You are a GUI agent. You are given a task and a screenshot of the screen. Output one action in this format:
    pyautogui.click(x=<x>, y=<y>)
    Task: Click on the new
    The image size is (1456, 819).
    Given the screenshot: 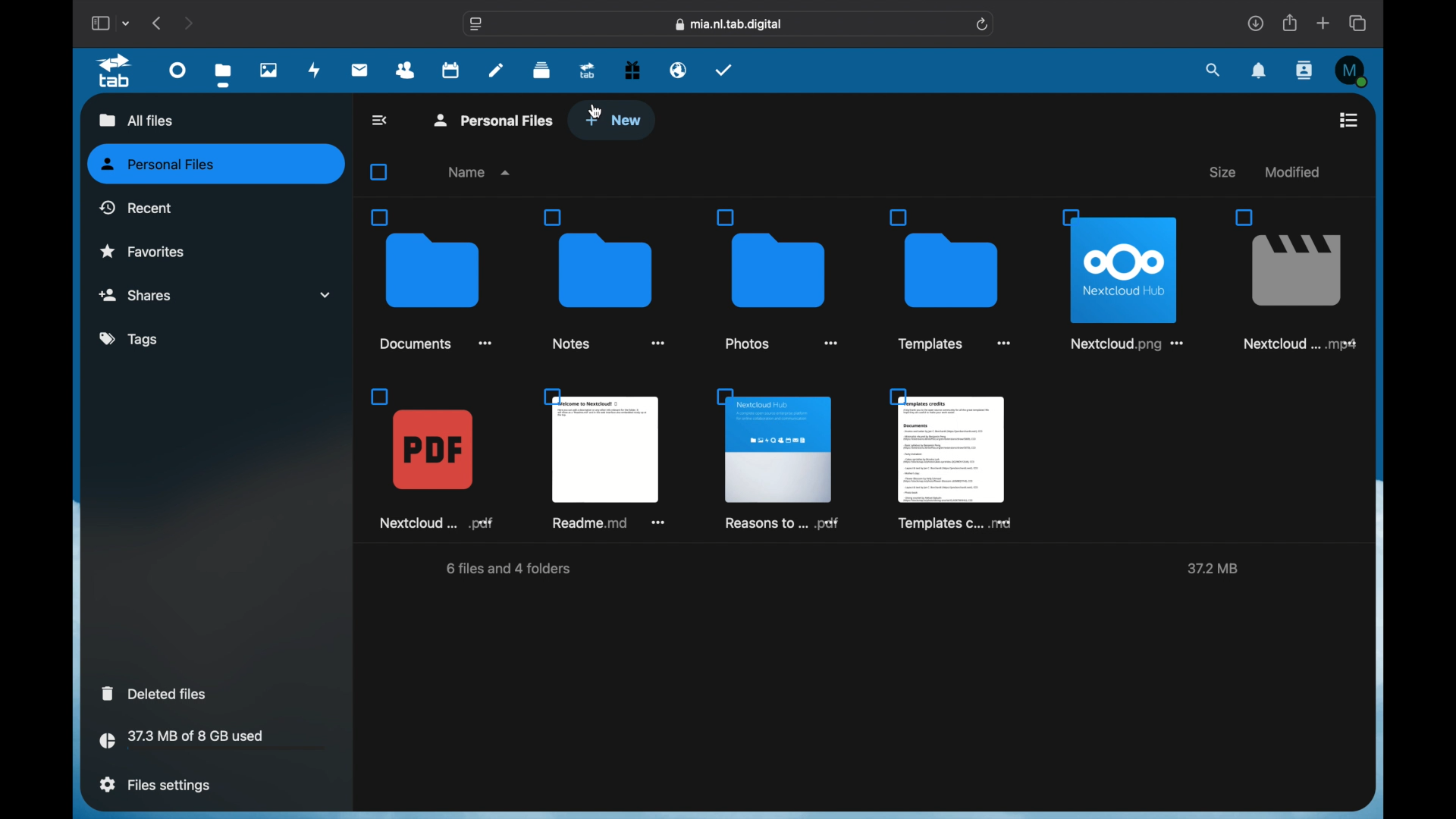 What is the action you would take?
    pyautogui.click(x=613, y=121)
    